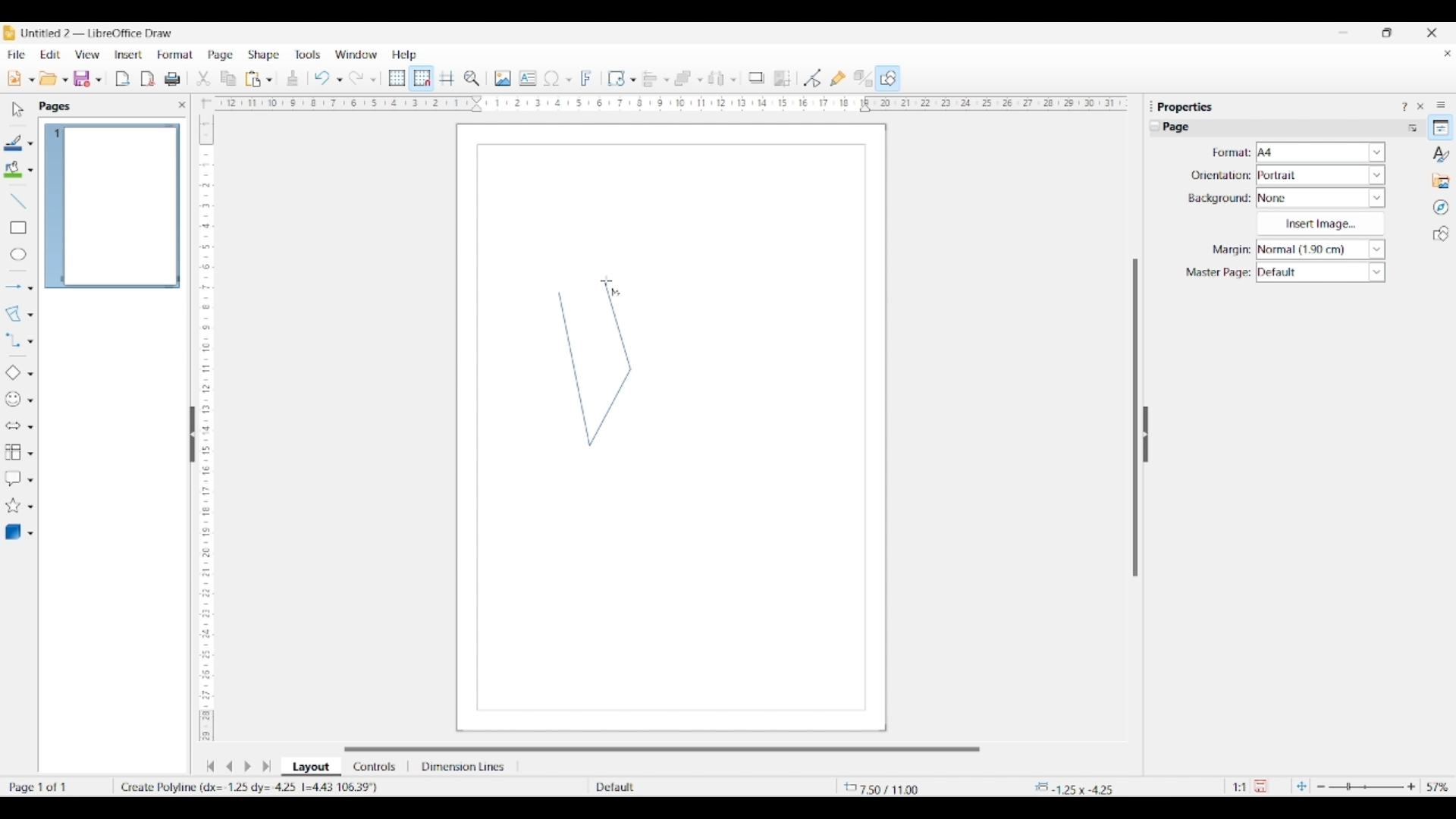  I want to click on Styles, so click(1442, 154).